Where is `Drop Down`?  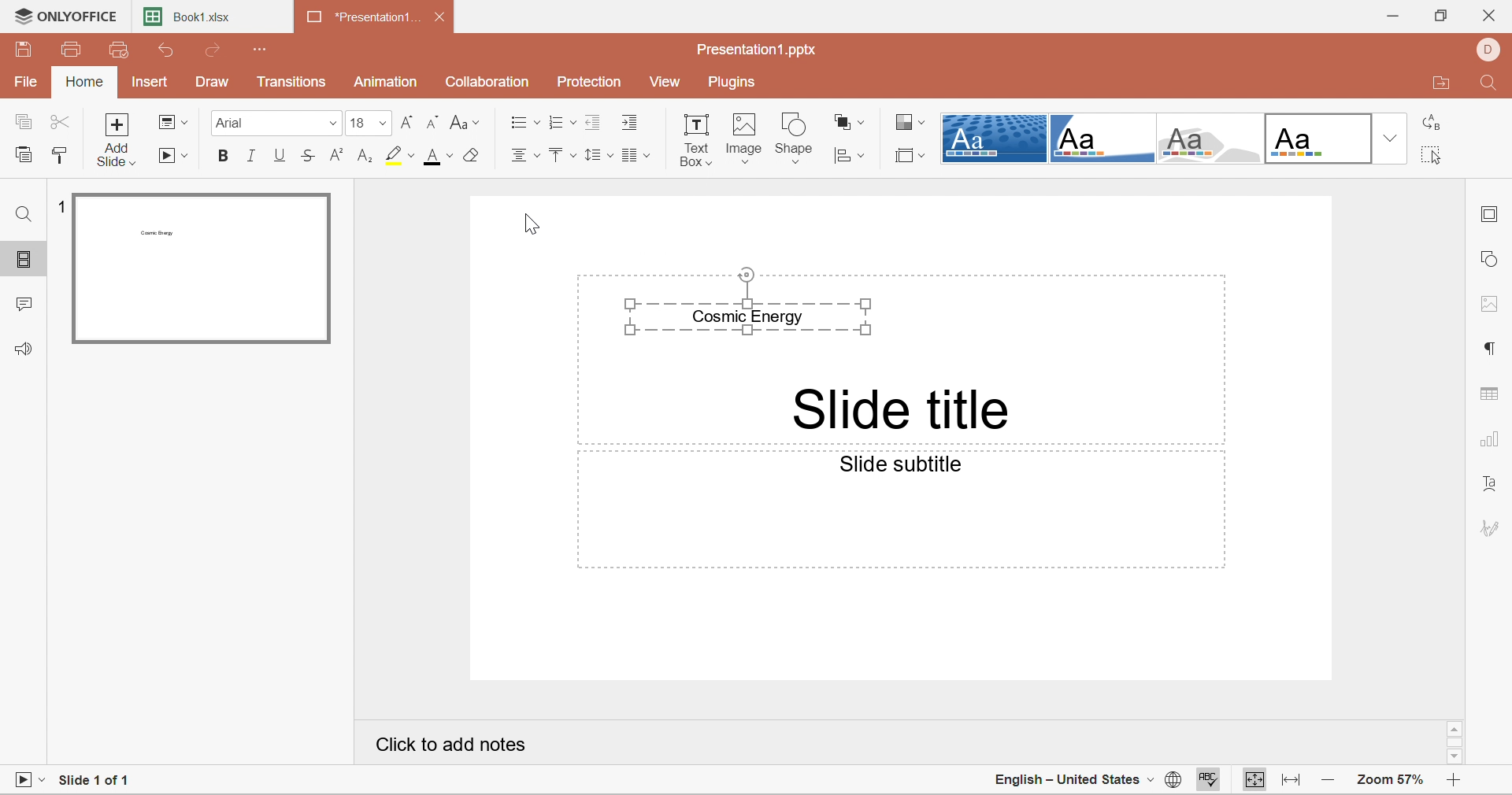
Drop Down is located at coordinates (1390, 136).